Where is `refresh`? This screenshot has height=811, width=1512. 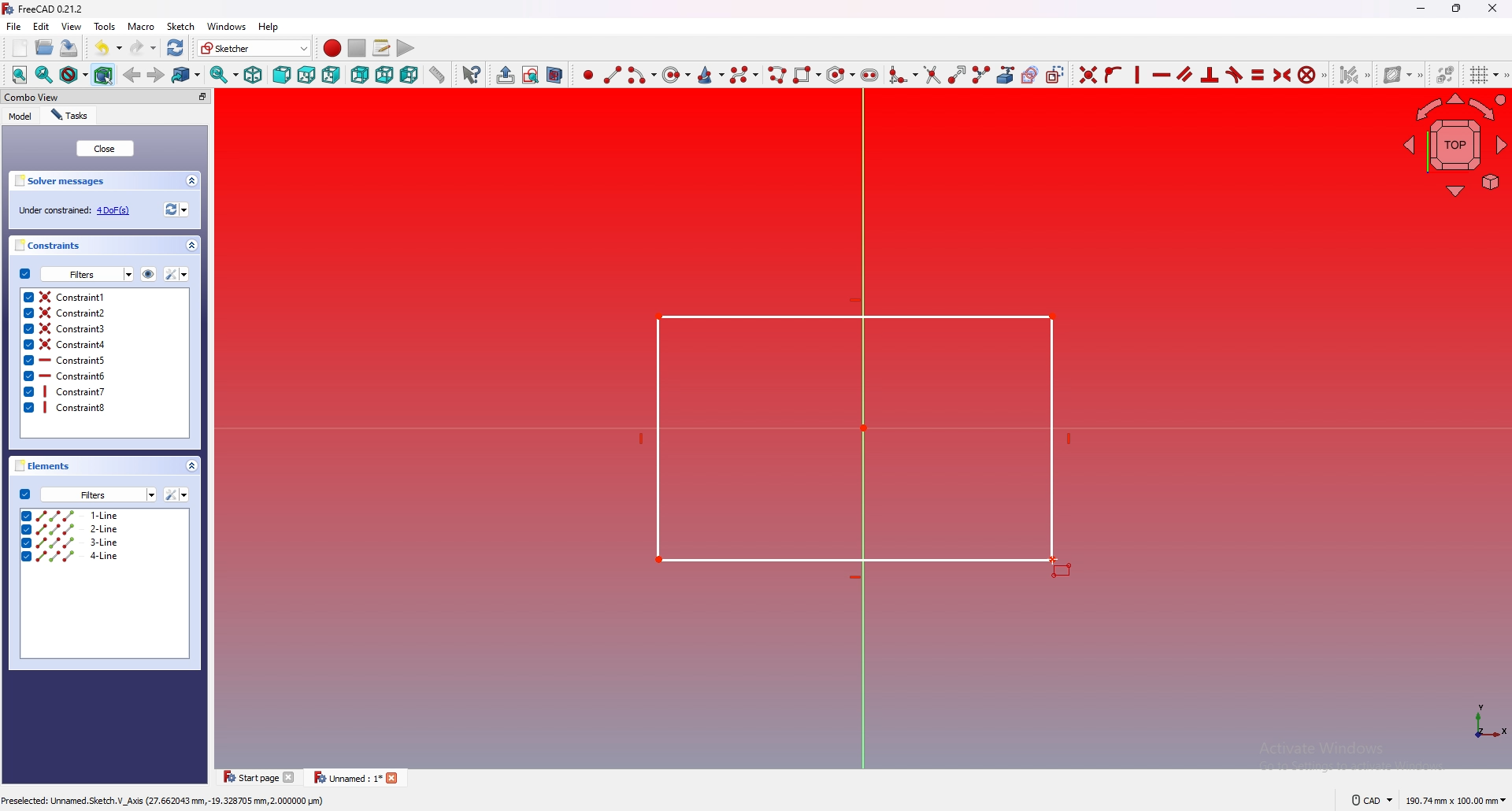
refresh is located at coordinates (176, 209).